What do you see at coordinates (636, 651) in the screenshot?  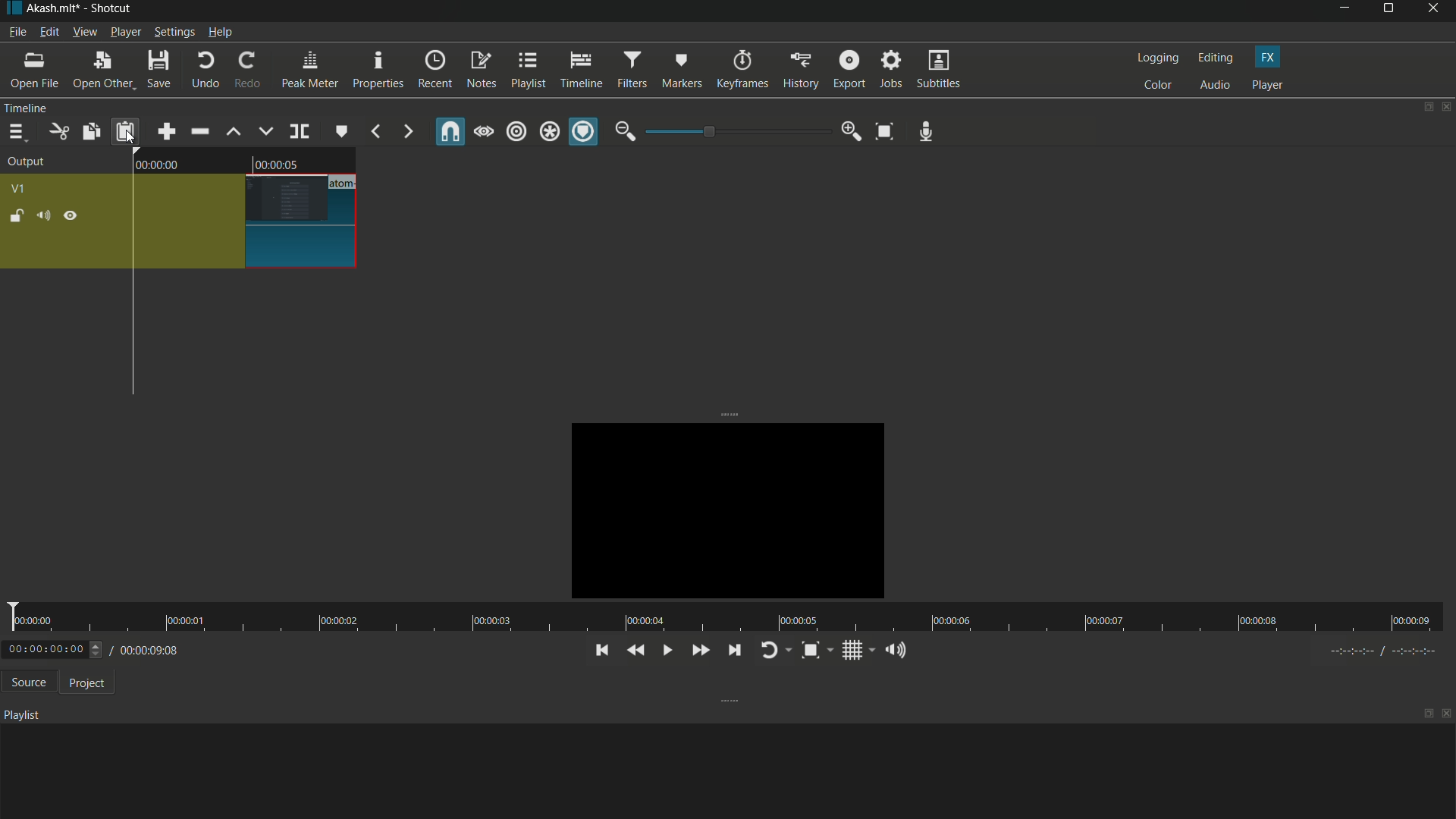 I see `quickly play backward` at bounding box center [636, 651].